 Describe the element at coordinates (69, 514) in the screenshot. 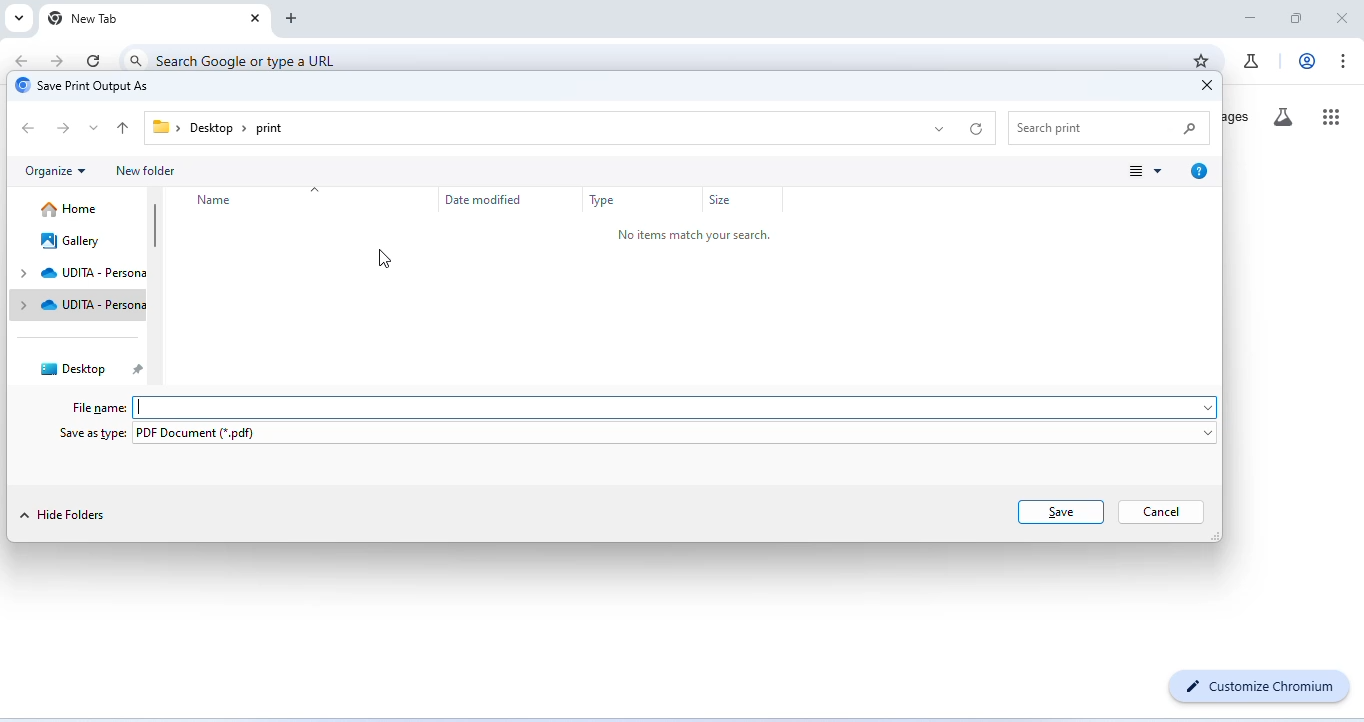

I see `hide folders` at that location.